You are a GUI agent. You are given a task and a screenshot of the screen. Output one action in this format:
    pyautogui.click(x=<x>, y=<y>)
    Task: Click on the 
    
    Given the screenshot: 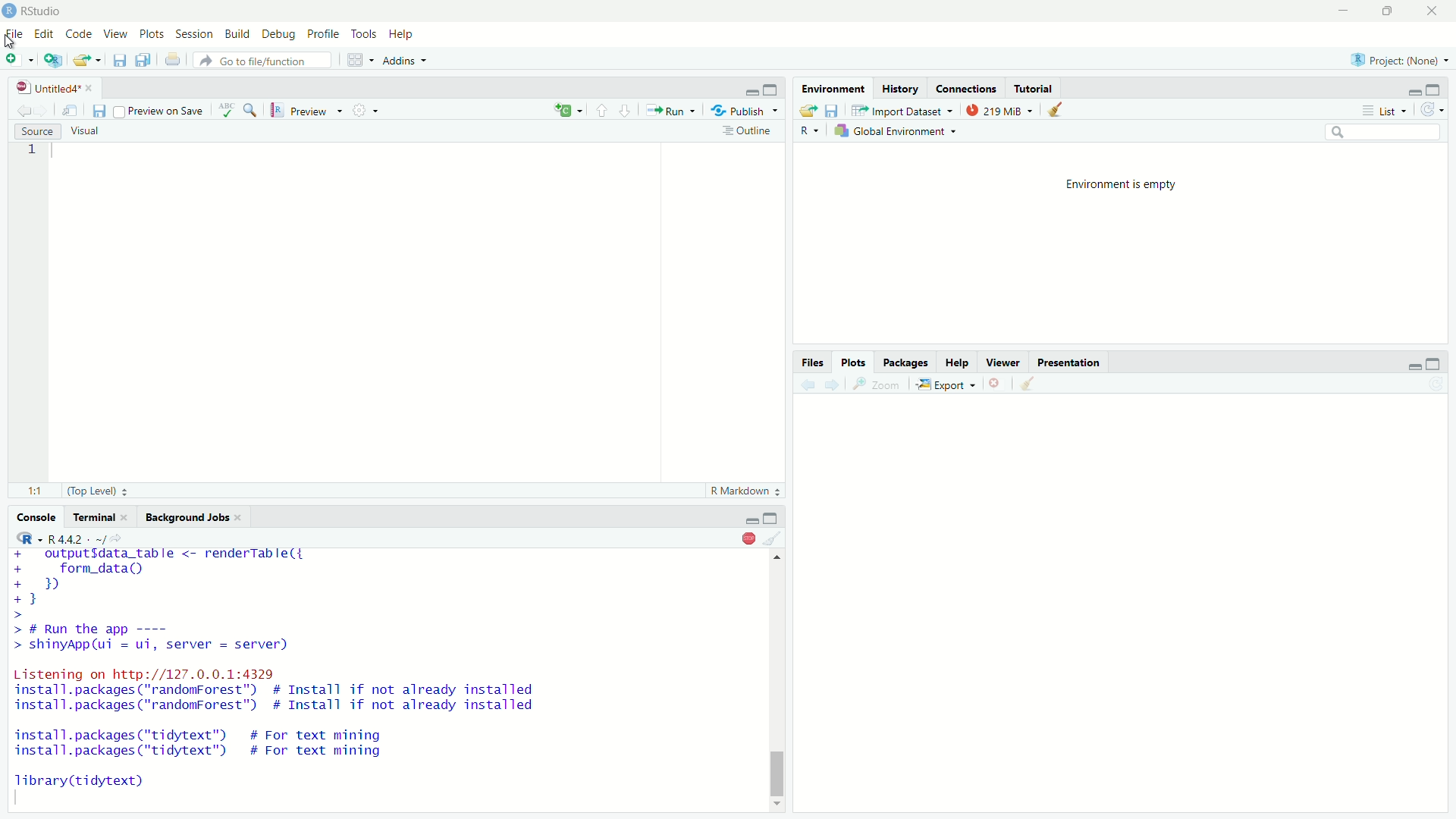 What is the action you would take?
    pyautogui.click(x=751, y=516)
    